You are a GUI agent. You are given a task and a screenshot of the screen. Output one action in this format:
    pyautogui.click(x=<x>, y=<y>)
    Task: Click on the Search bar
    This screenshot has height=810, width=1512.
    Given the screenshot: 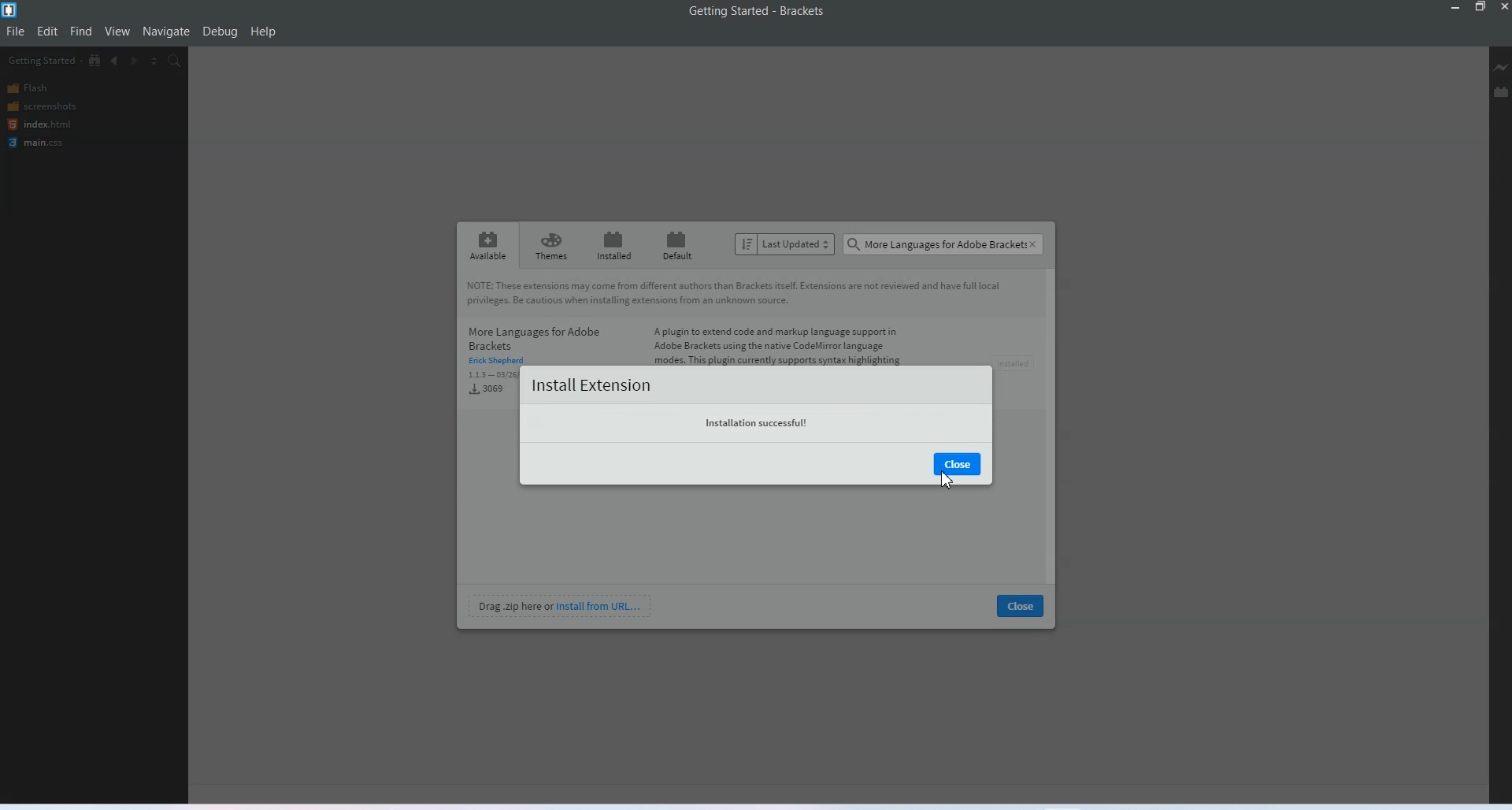 What is the action you would take?
    pyautogui.click(x=943, y=245)
    